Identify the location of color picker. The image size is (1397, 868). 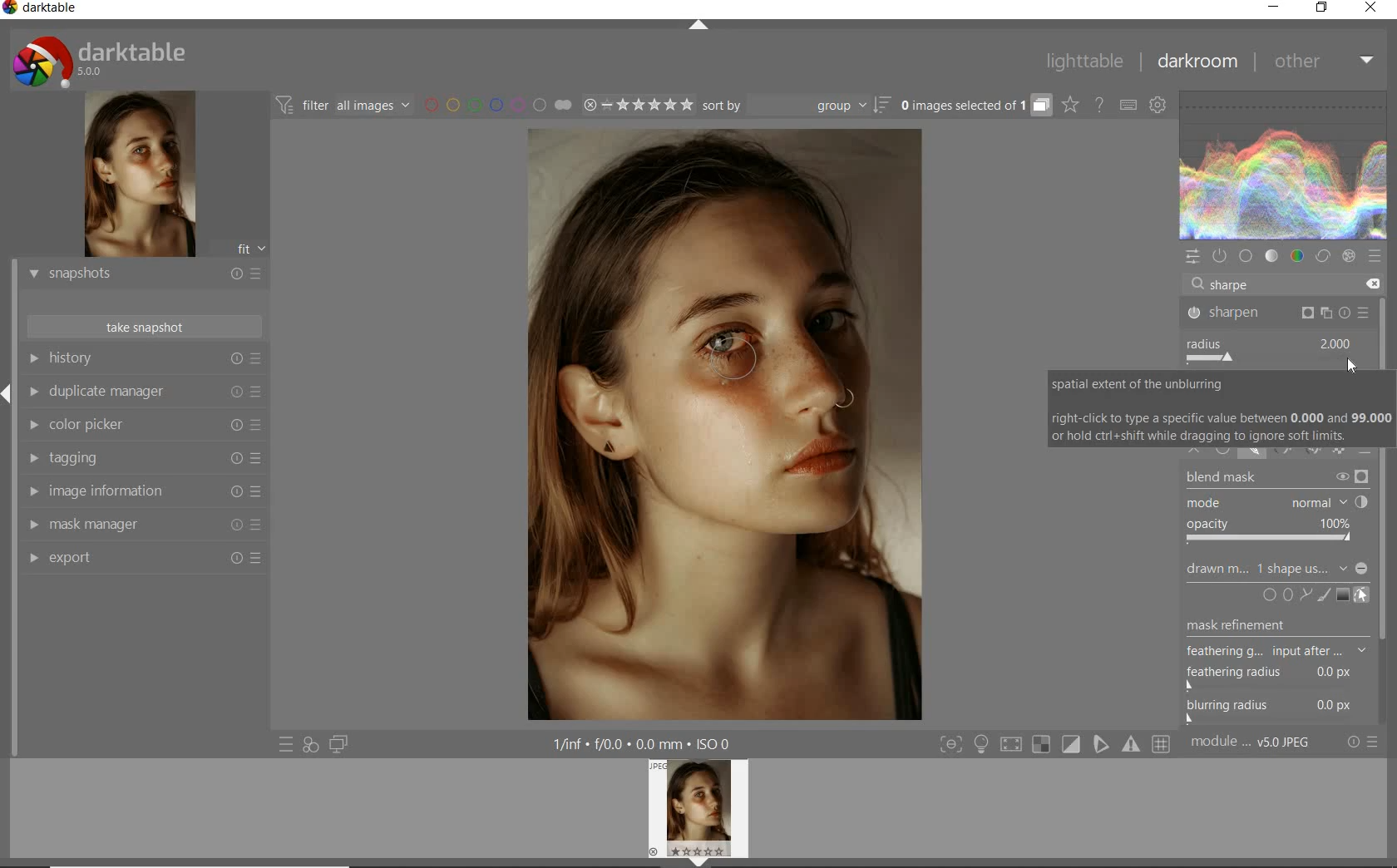
(144, 427).